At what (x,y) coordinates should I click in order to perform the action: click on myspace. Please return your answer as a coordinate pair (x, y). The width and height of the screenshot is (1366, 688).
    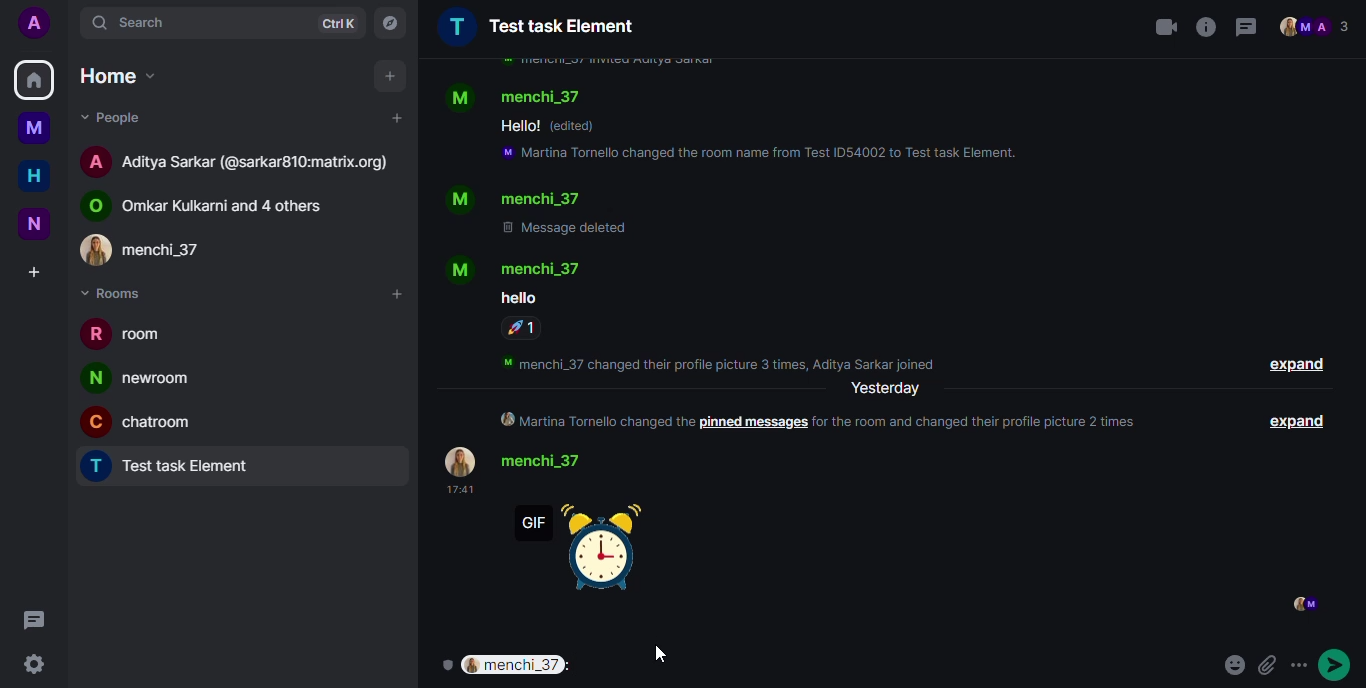
    Looking at the image, I should click on (35, 128).